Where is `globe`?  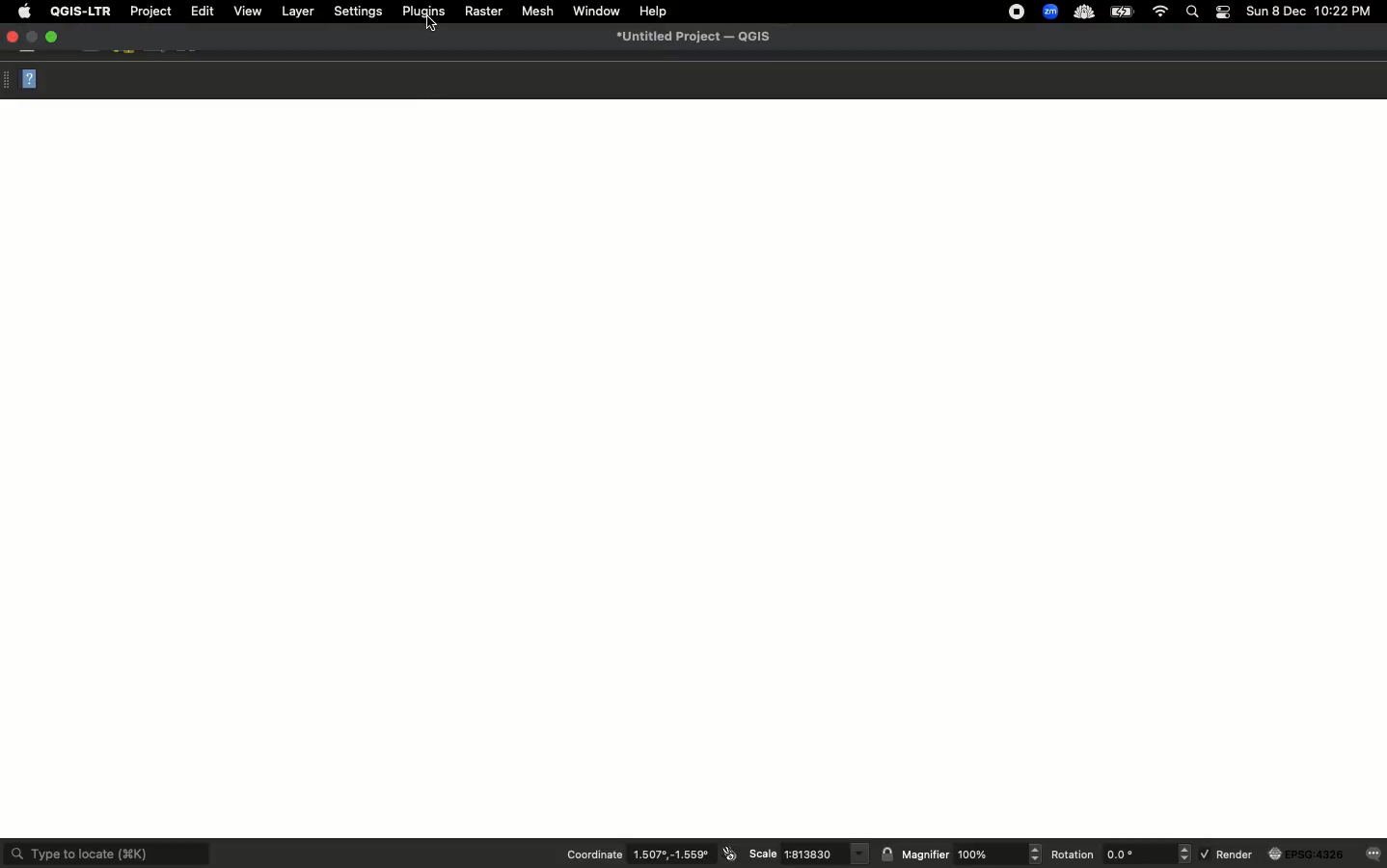 globe is located at coordinates (1308, 854).